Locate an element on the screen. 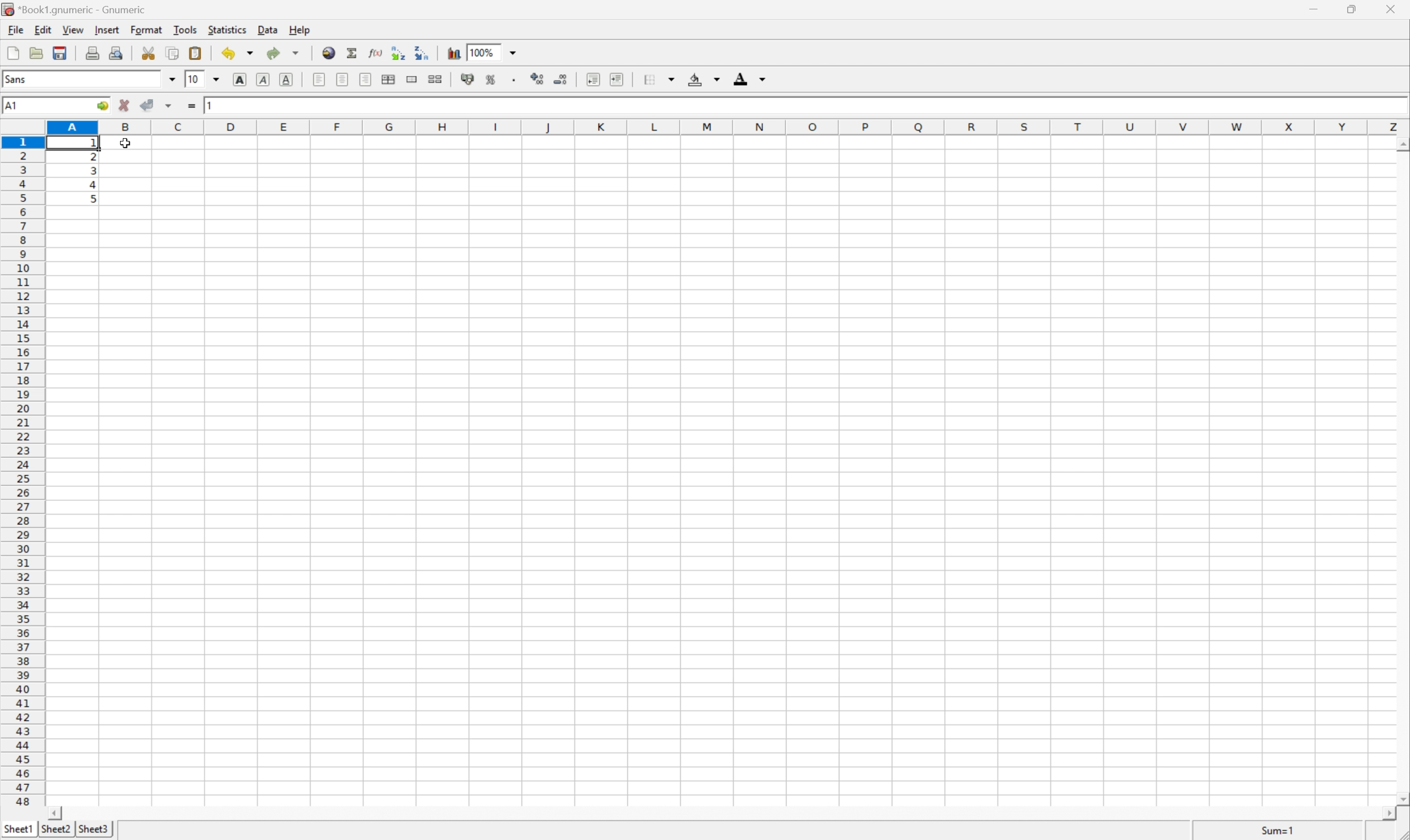 The width and height of the screenshot is (1410, 840). Drop Down is located at coordinates (174, 78).